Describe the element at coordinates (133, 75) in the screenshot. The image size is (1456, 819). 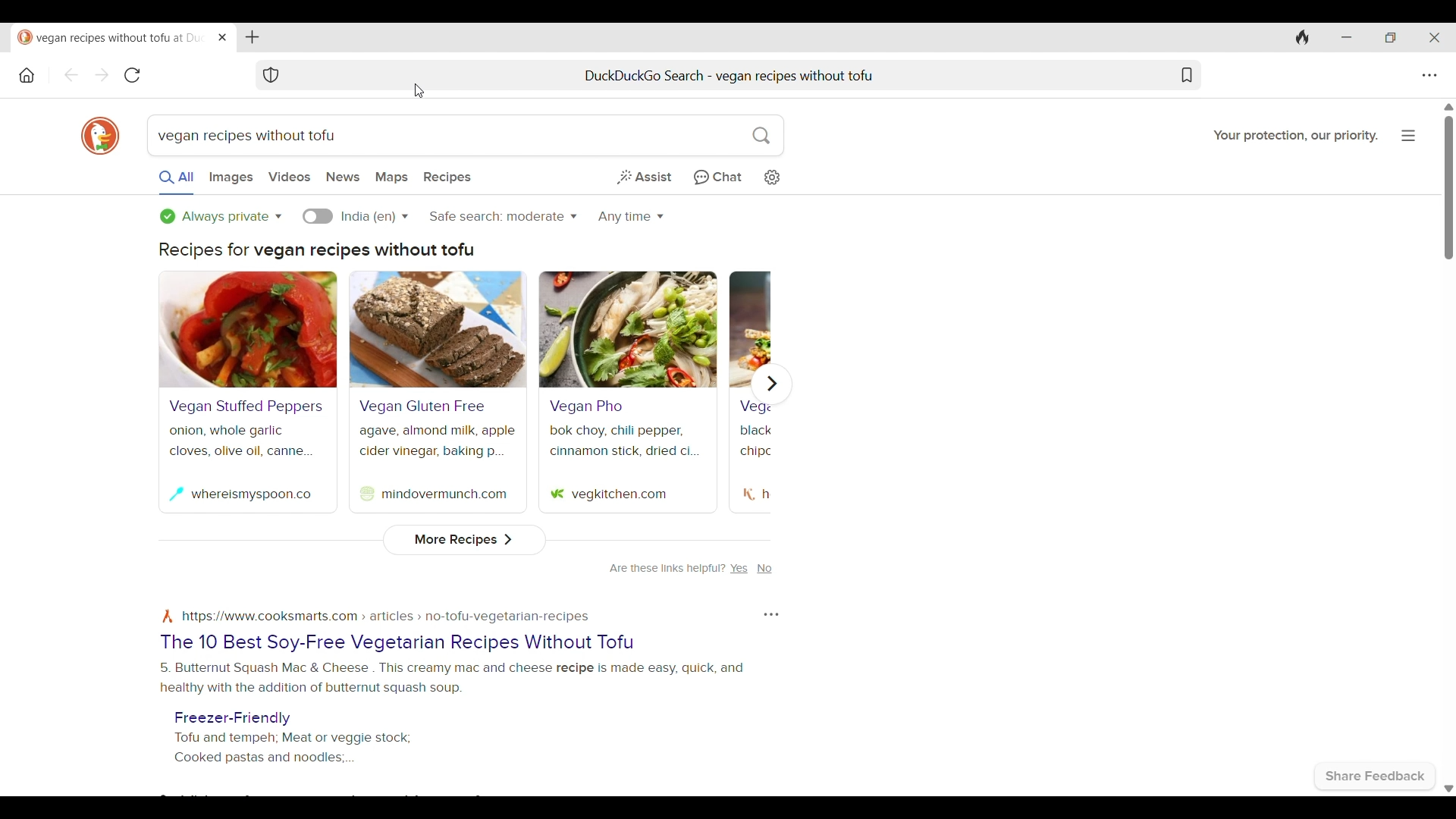
I see `Reload page` at that location.